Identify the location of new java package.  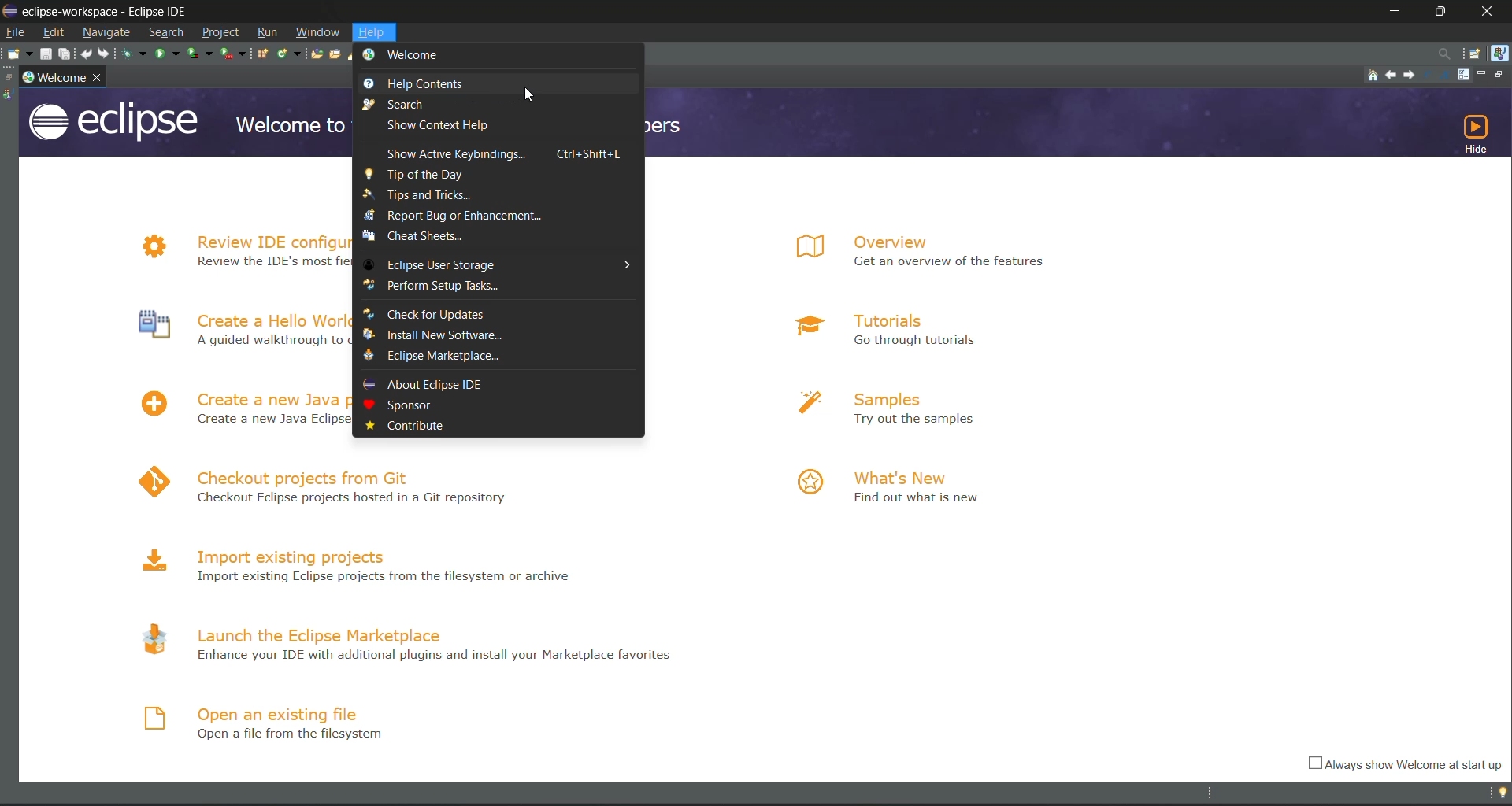
(261, 51).